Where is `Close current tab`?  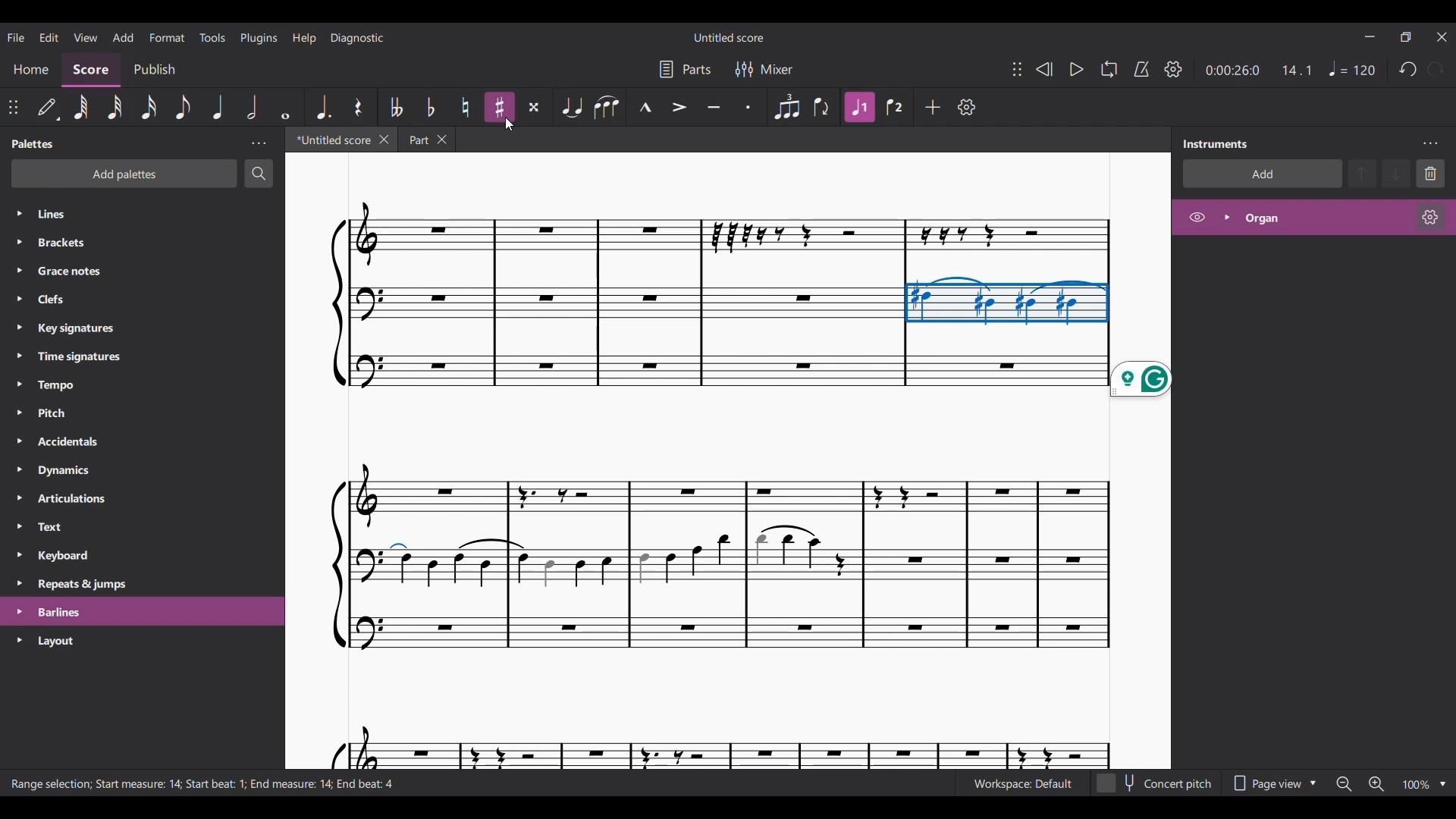
Close current tab is located at coordinates (384, 140).